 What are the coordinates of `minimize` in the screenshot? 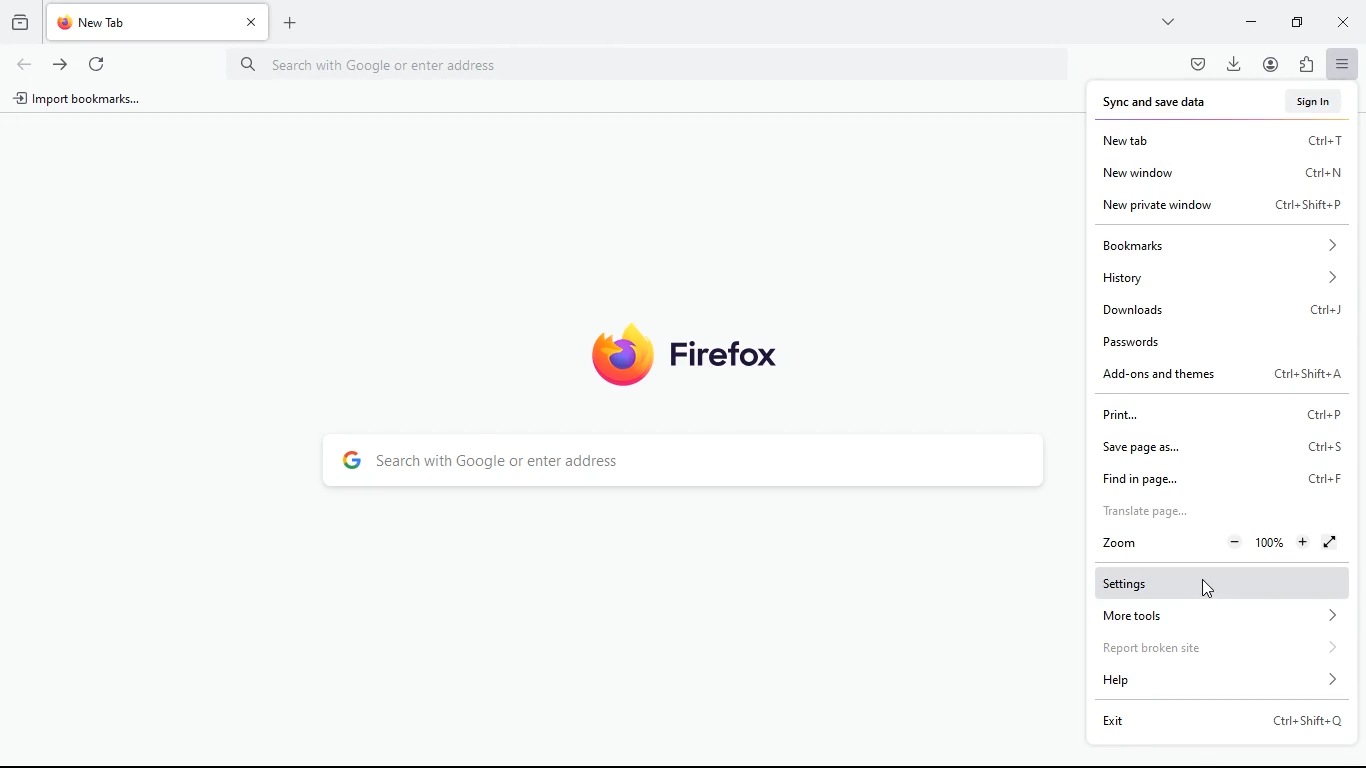 It's located at (1252, 22).